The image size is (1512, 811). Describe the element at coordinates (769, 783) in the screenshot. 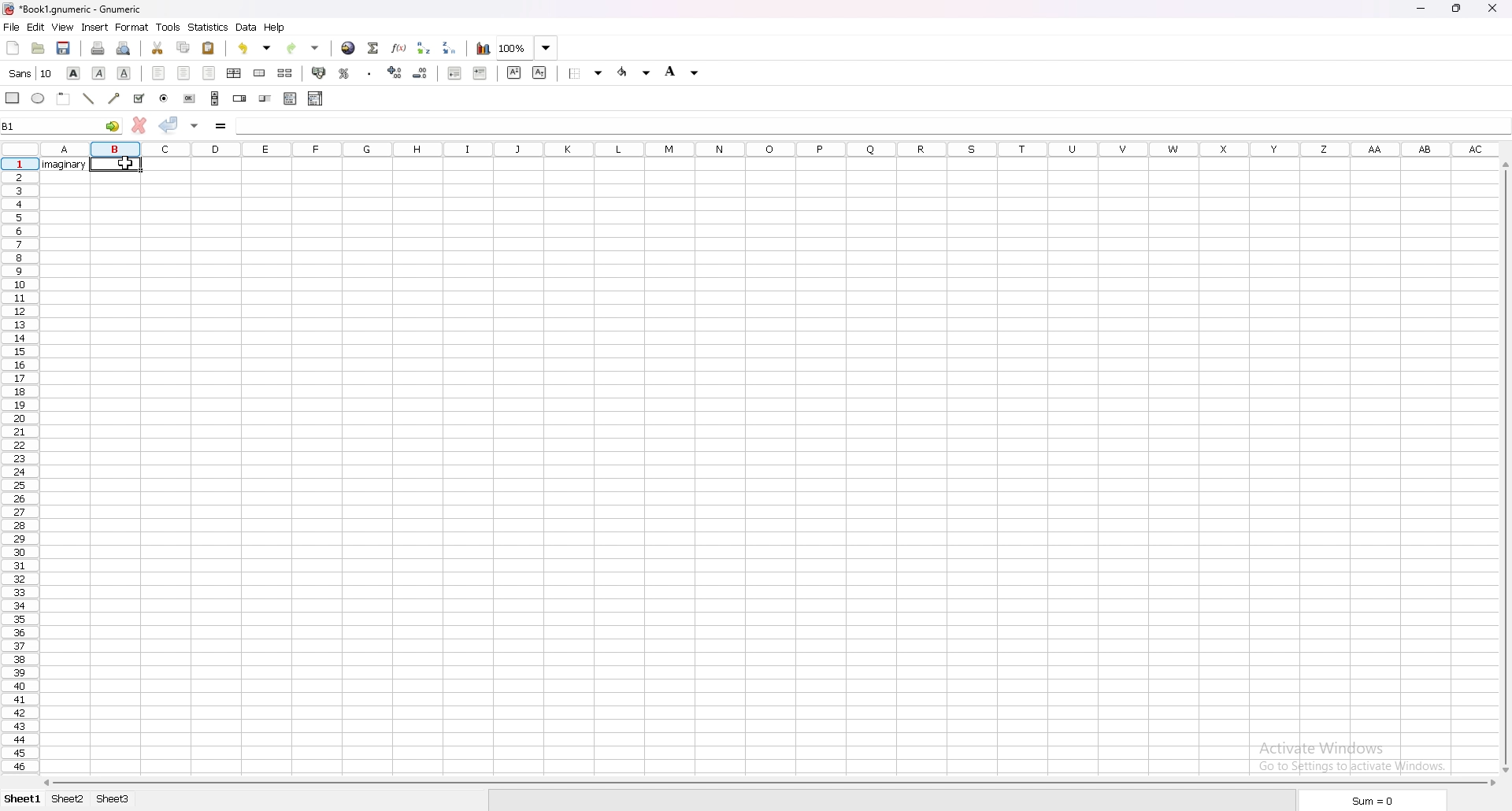

I see `scroll bar` at that location.